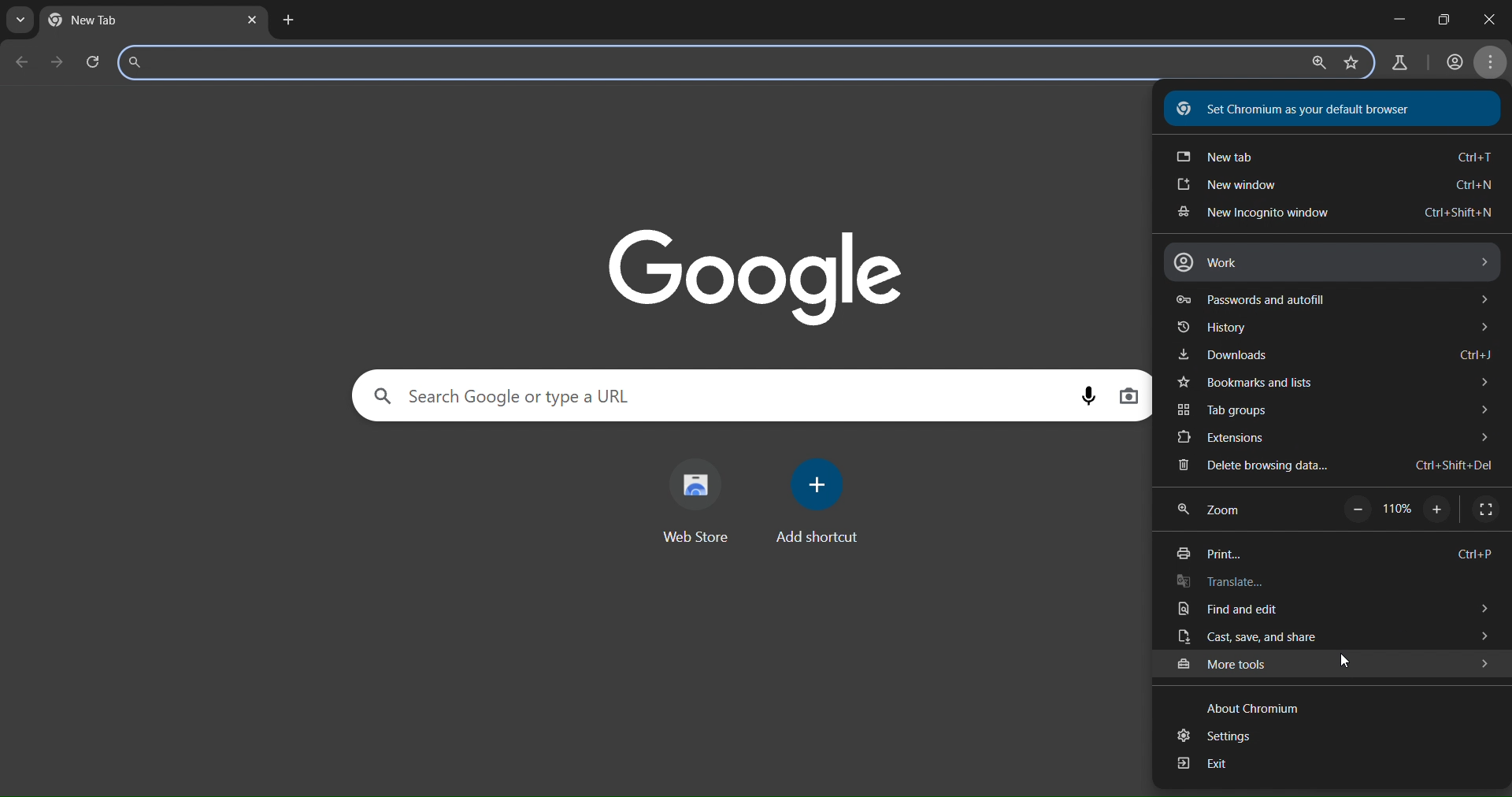 Image resolution: width=1512 pixels, height=797 pixels. What do you see at coordinates (1396, 510) in the screenshot?
I see `110%` at bounding box center [1396, 510].